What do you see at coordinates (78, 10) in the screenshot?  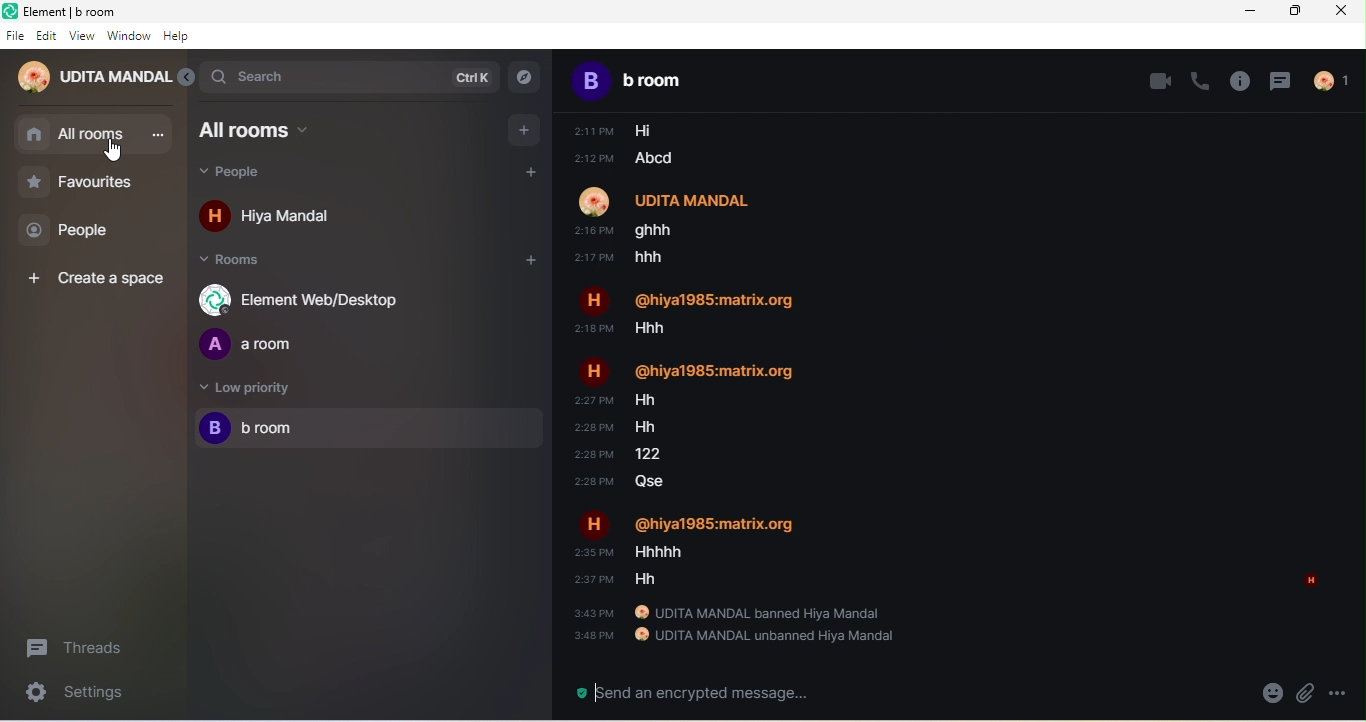 I see `Element | b room` at bounding box center [78, 10].